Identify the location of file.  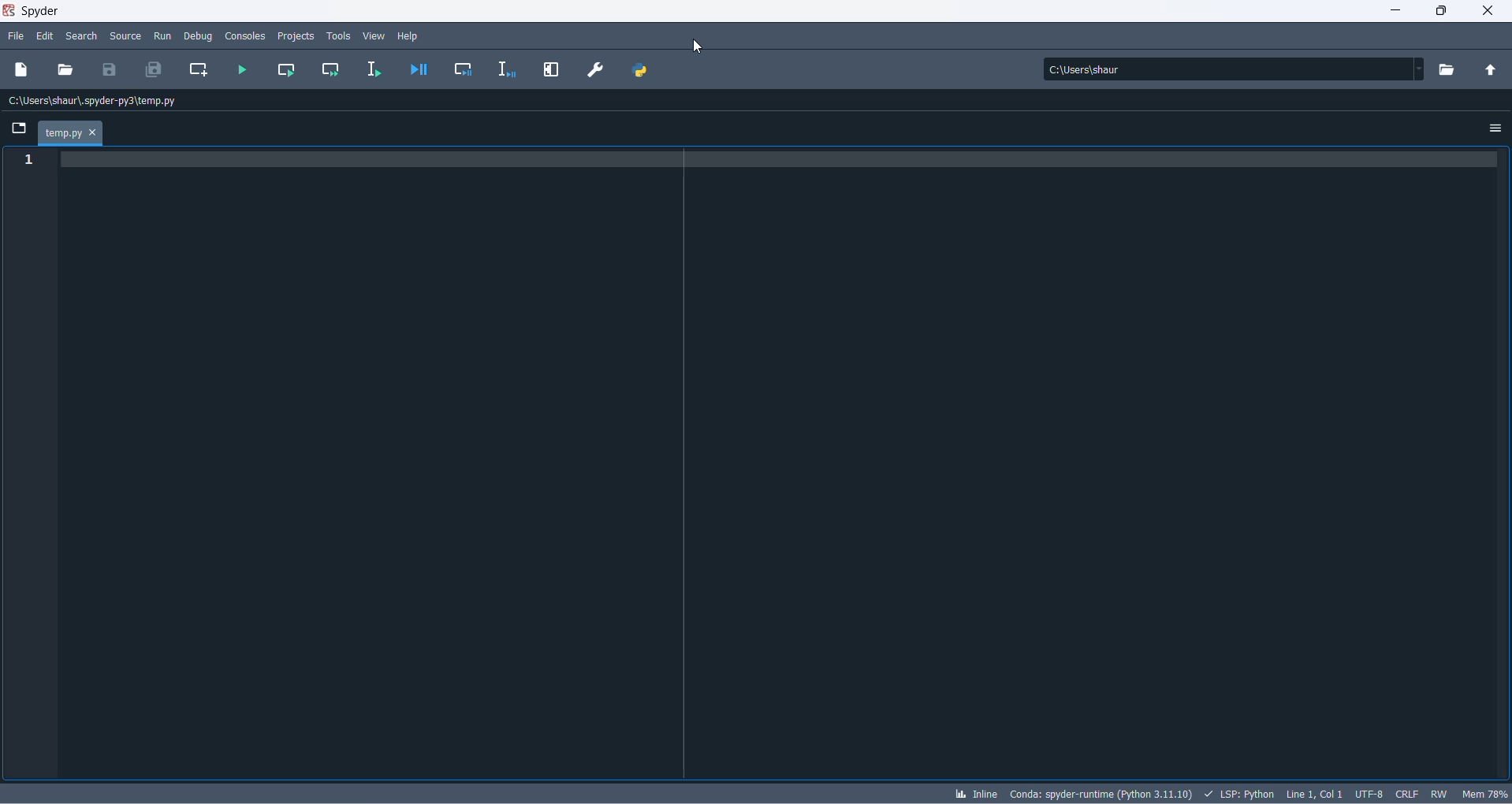
(15, 37).